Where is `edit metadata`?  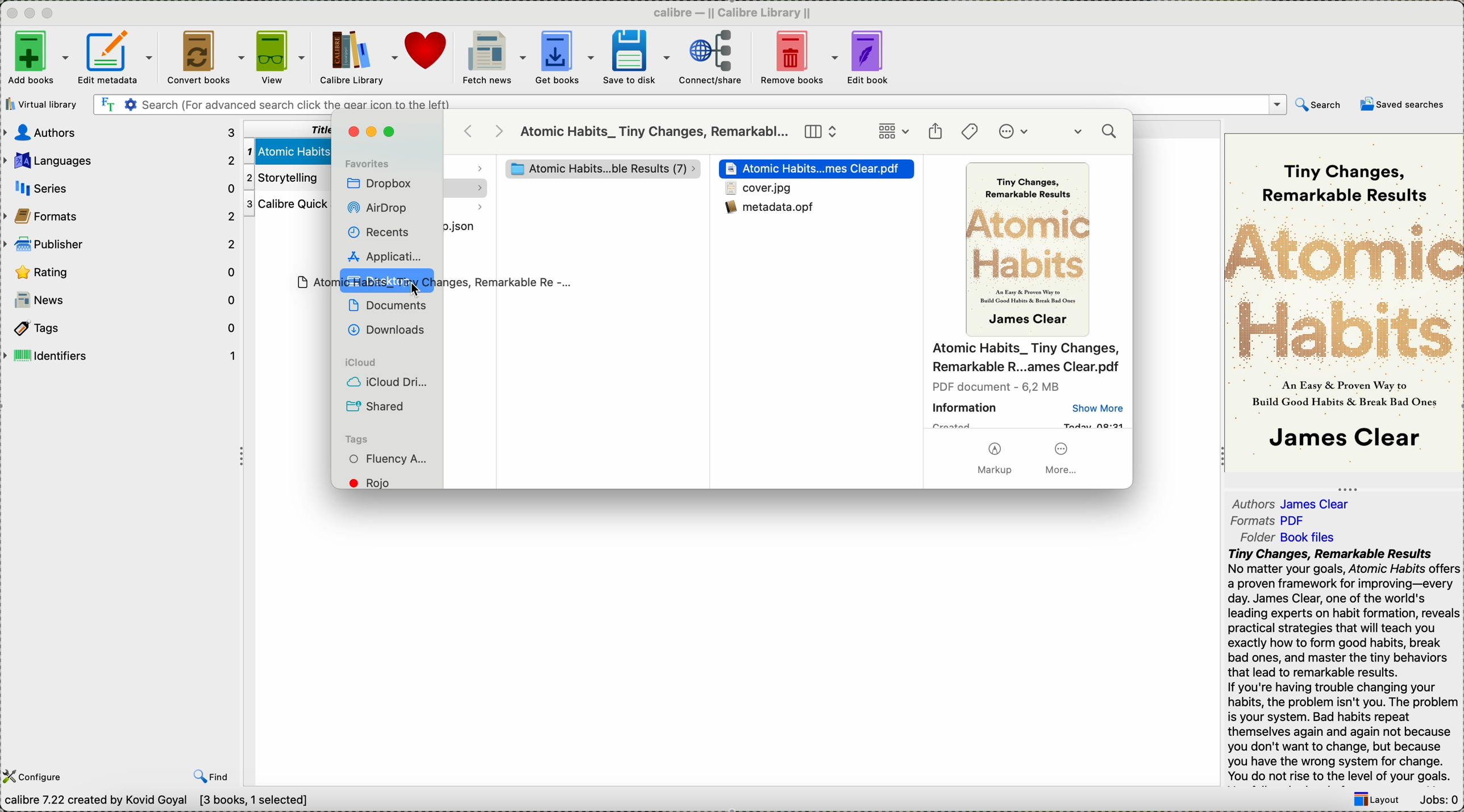
edit metadata is located at coordinates (118, 60).